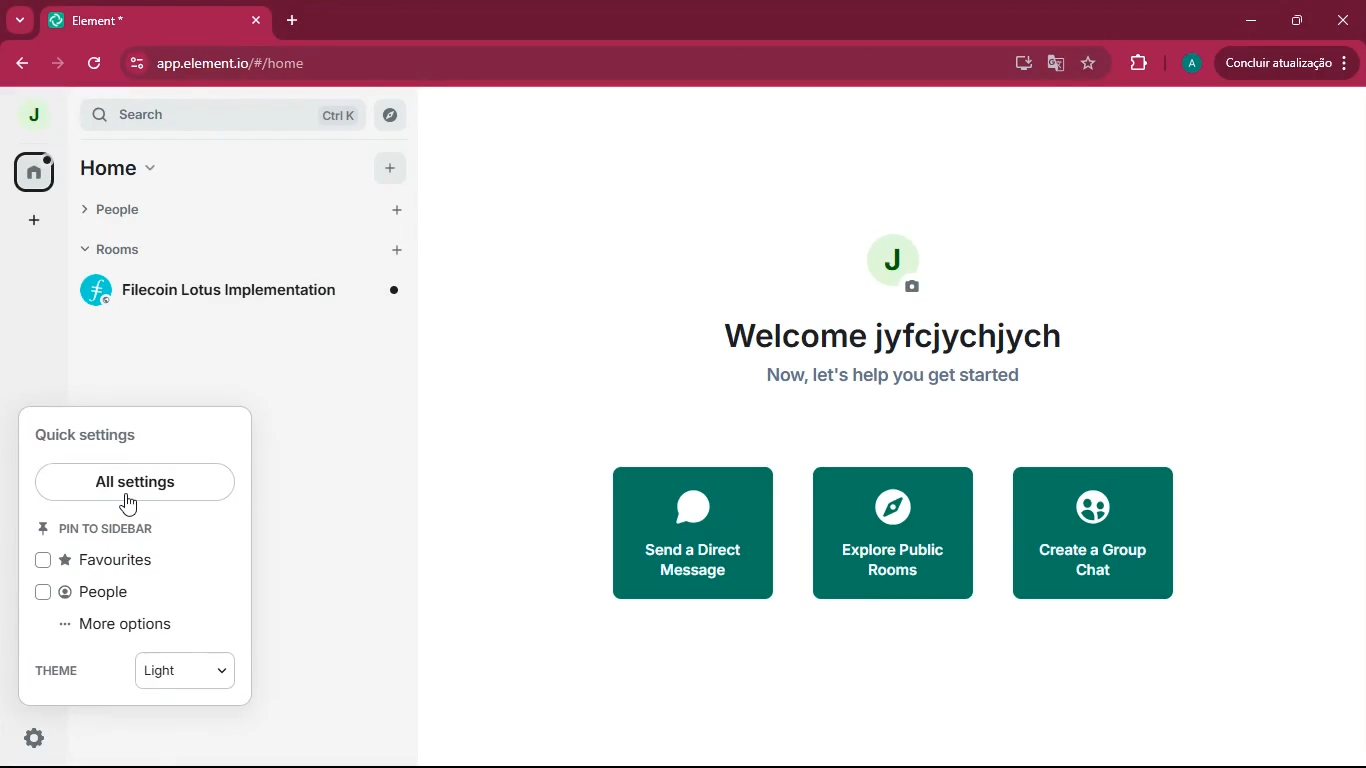  Describe the element at coordinates (96, 63) in the screenshot. I see `refresh` at that location.